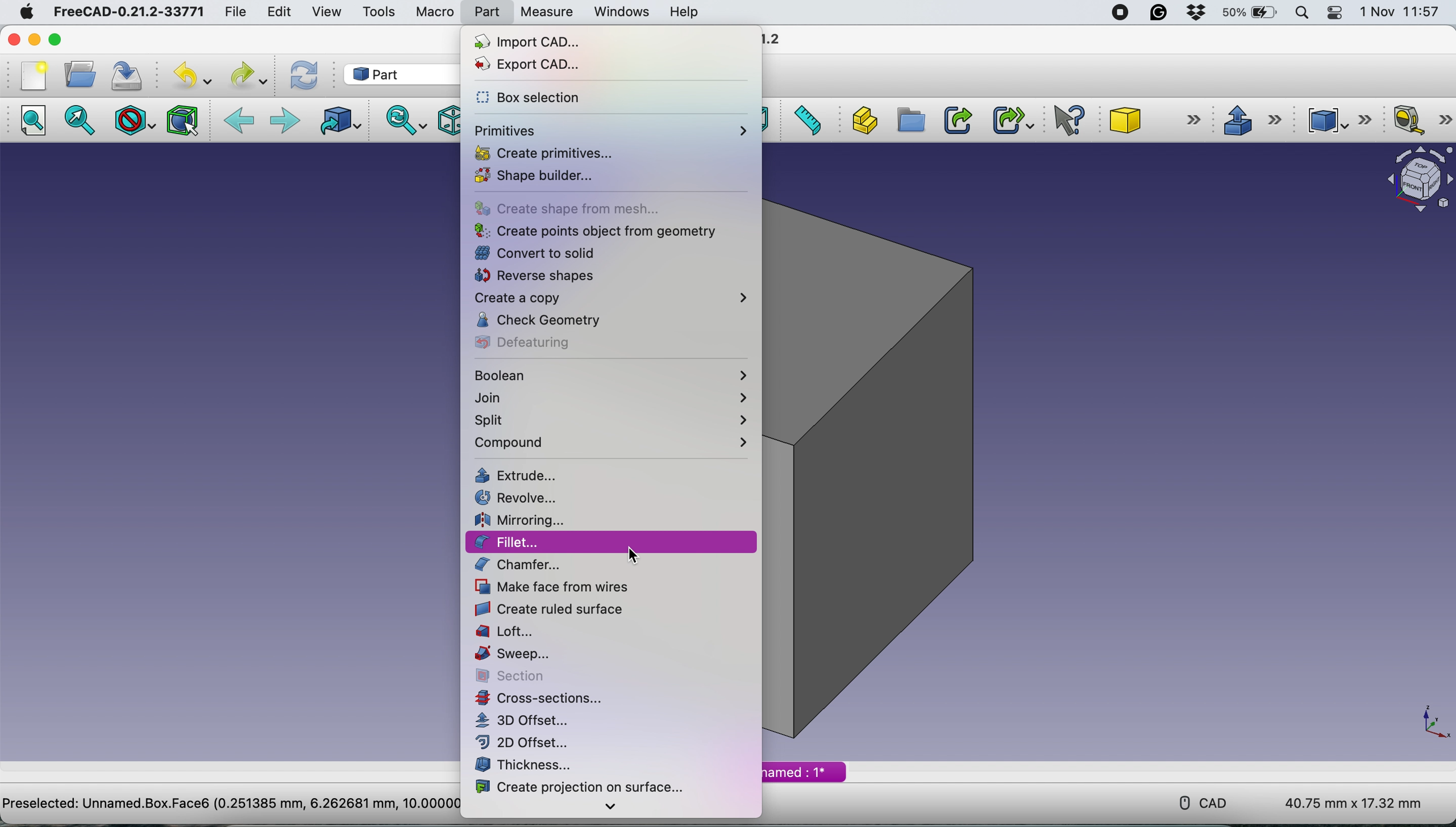  What do you see at coordinates (392, 74) in the screenshot?
I see `workbench - part` at bounding box center [392, 74].